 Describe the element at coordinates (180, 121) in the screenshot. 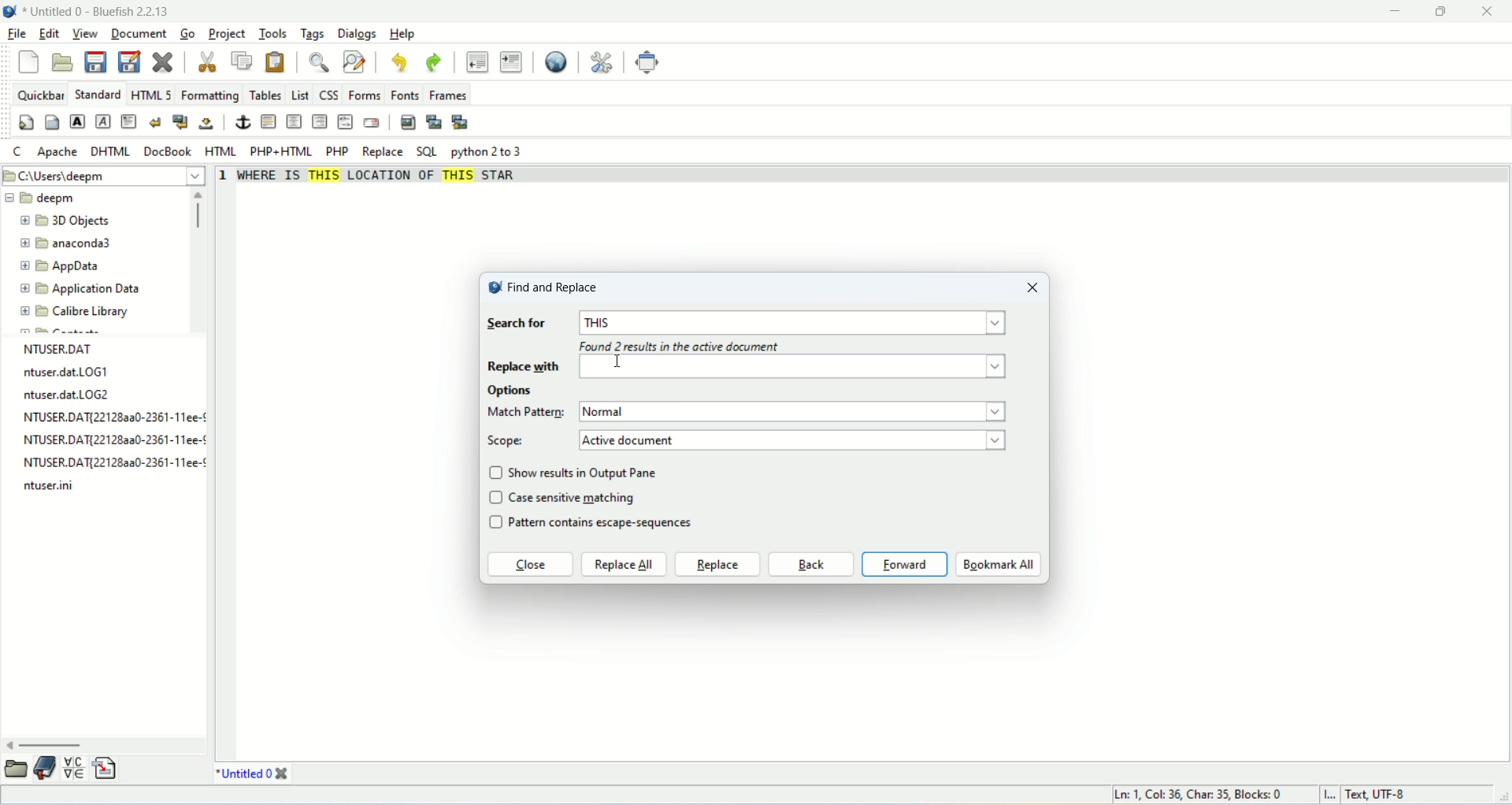

I see `break and clear` at that location.